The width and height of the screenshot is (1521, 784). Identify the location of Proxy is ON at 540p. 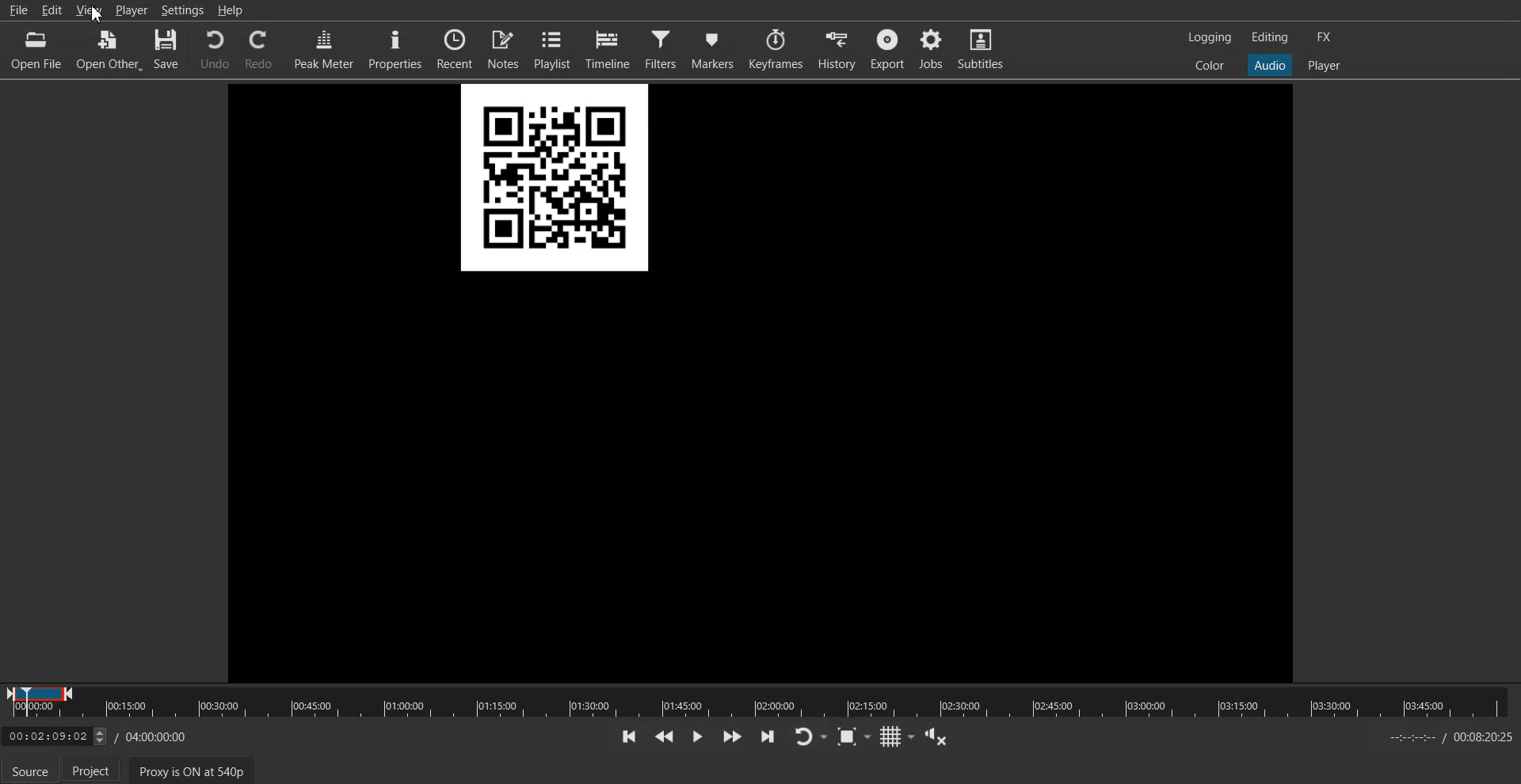
(192, 771).